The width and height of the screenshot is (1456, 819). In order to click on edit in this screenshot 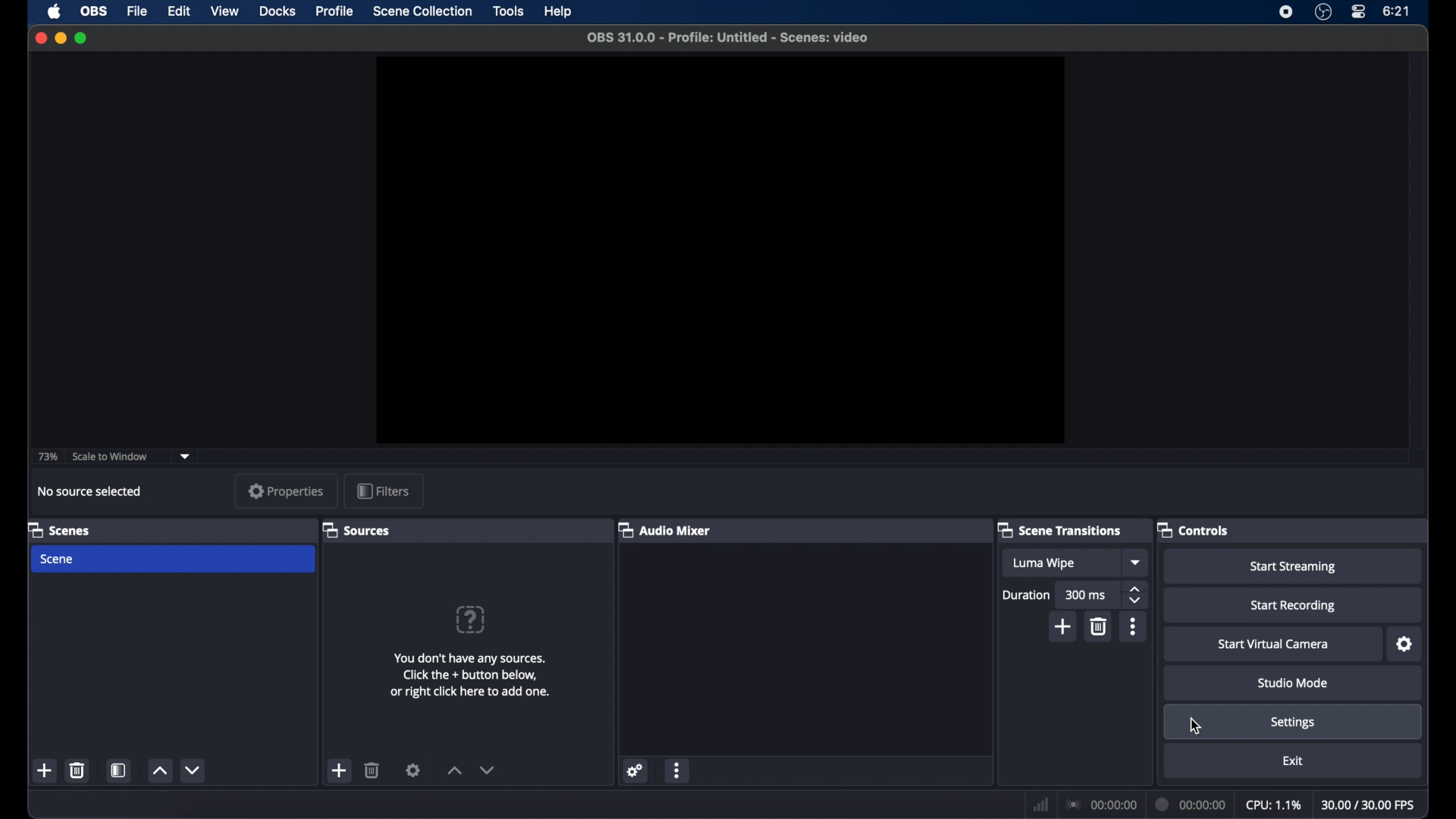, I will do `click(180, 12)`.